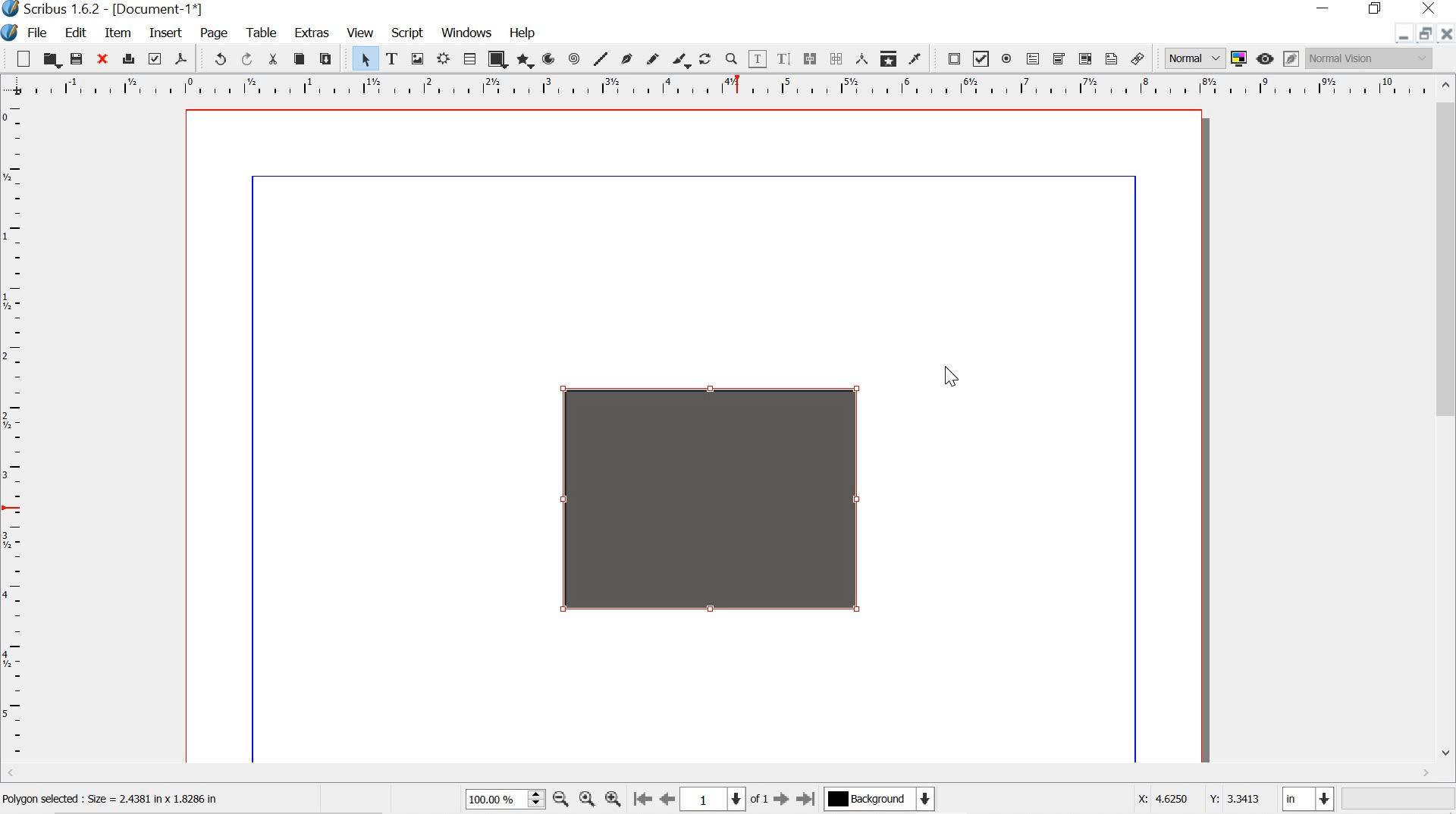 Image resolution: width=1456 pixels, height=814 pixels. Describe the element at coordinates (834, 58) in the screenshot. I see `unlink text frames` at that location.